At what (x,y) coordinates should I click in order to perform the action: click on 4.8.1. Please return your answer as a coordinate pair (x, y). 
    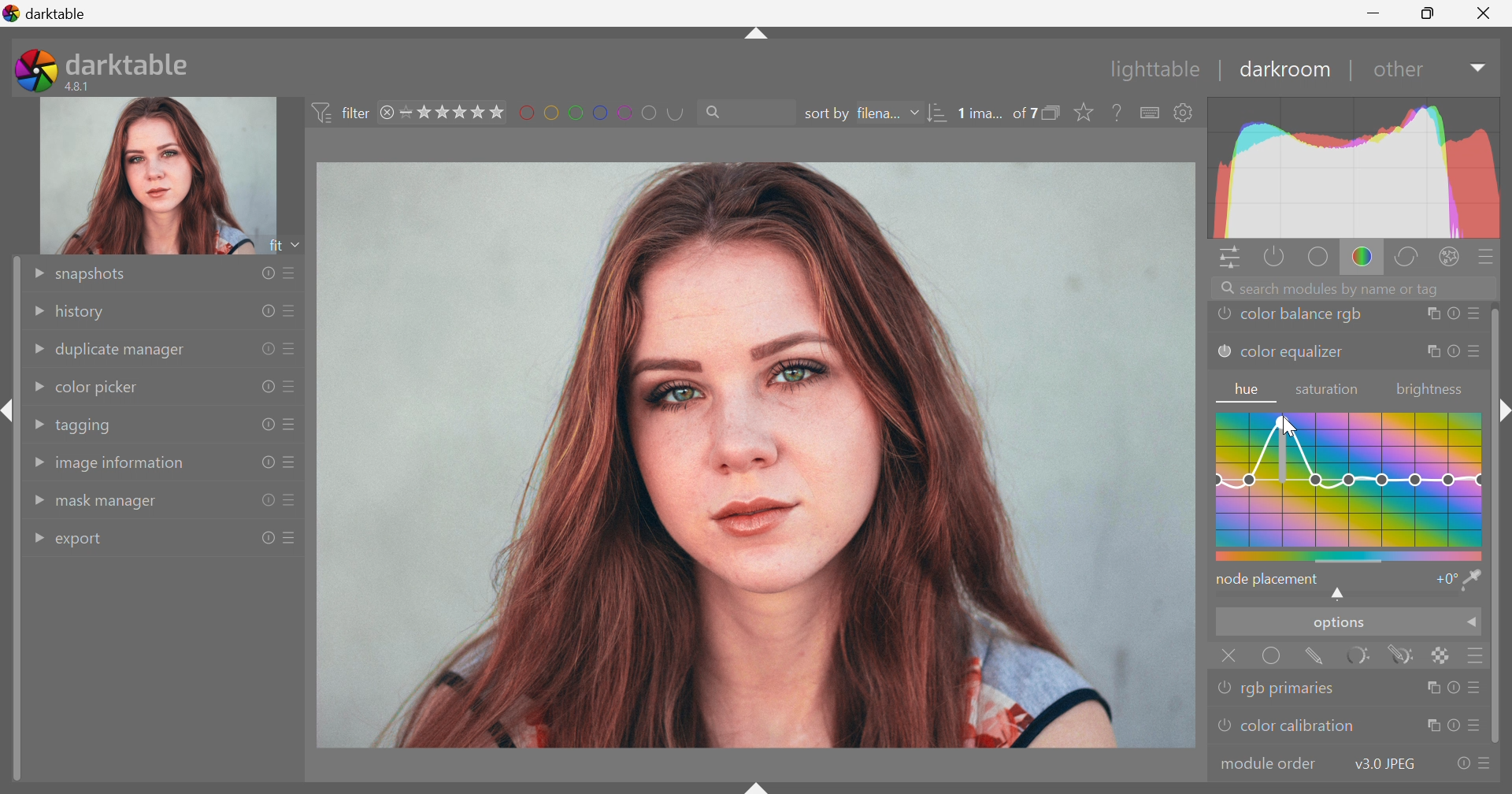
    Looking at the image, I should click on (84, 86).